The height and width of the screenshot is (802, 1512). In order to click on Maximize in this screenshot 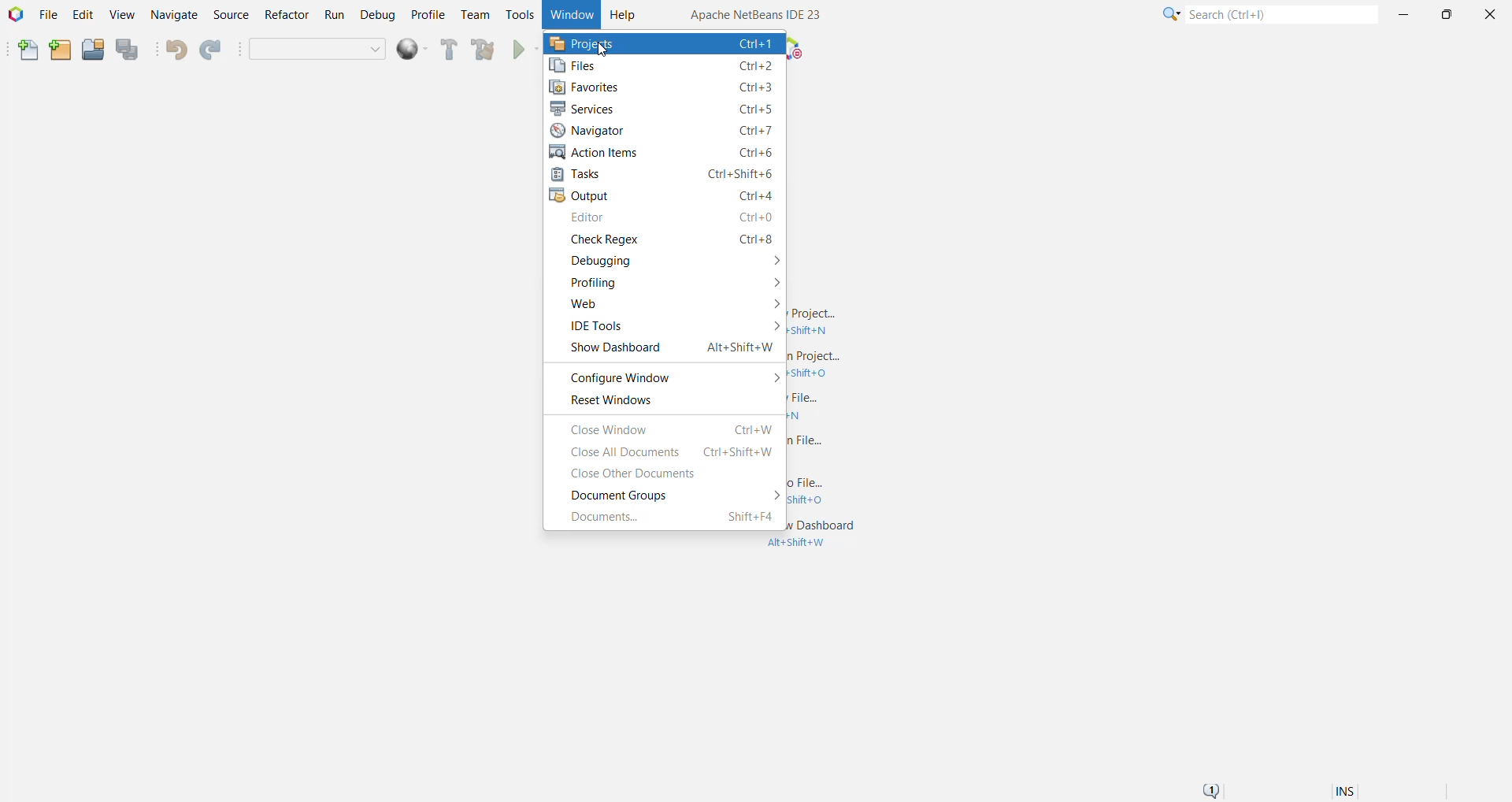, I will do `click(1446, 15)`.